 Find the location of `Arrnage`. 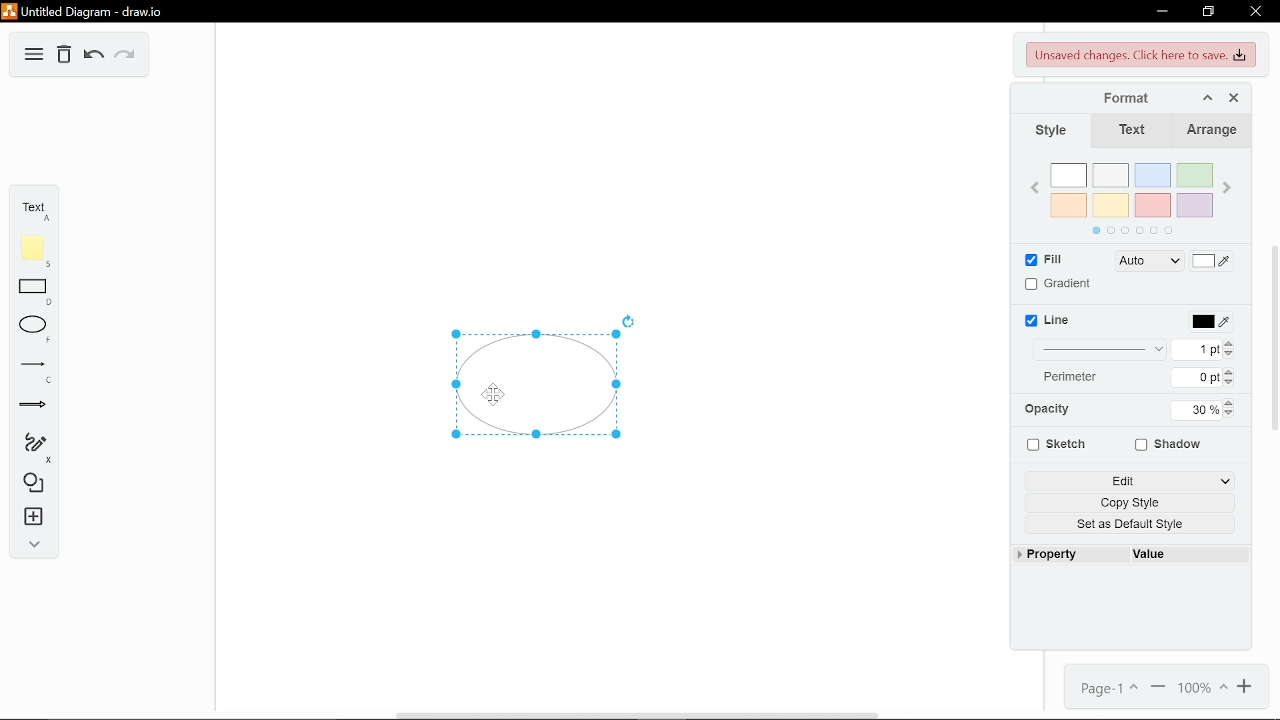

Arrnage is located at coordinates (1211, 131).